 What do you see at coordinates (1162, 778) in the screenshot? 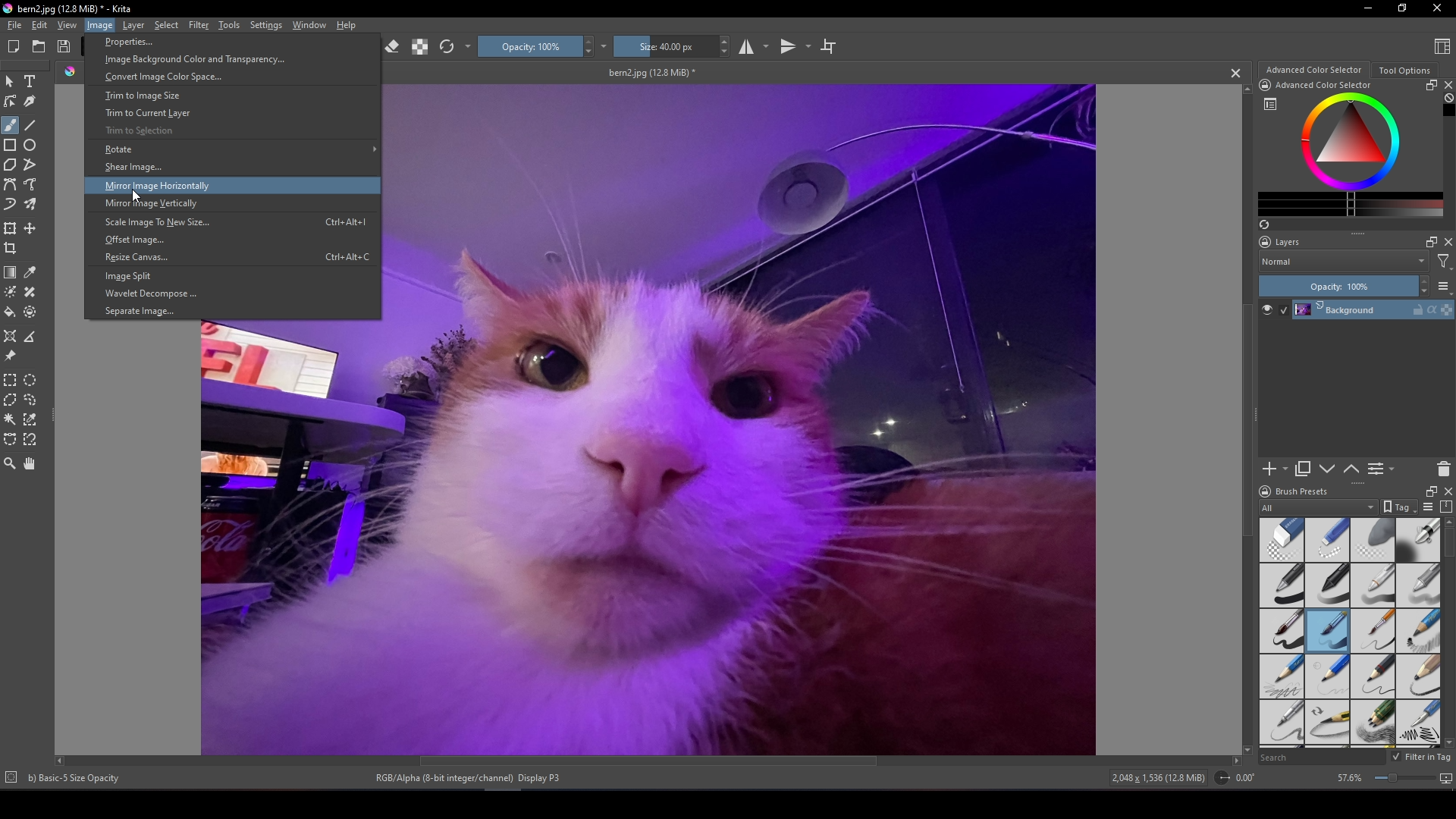
I see `Dimensions and size` at bounding box center [1162, 778].